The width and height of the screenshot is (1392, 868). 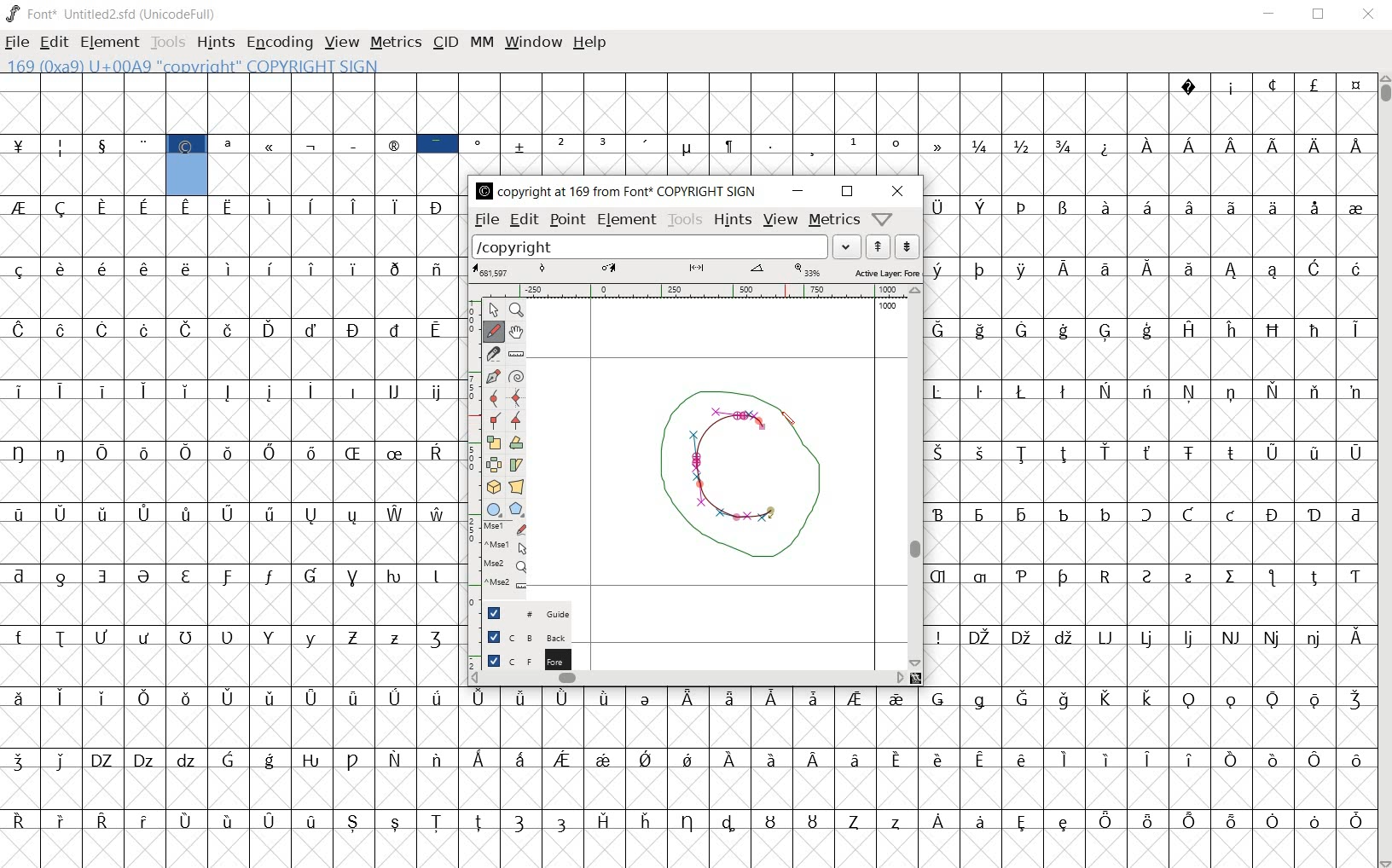 I want to click on show the previous word on the list, so click(x=906, y=246).